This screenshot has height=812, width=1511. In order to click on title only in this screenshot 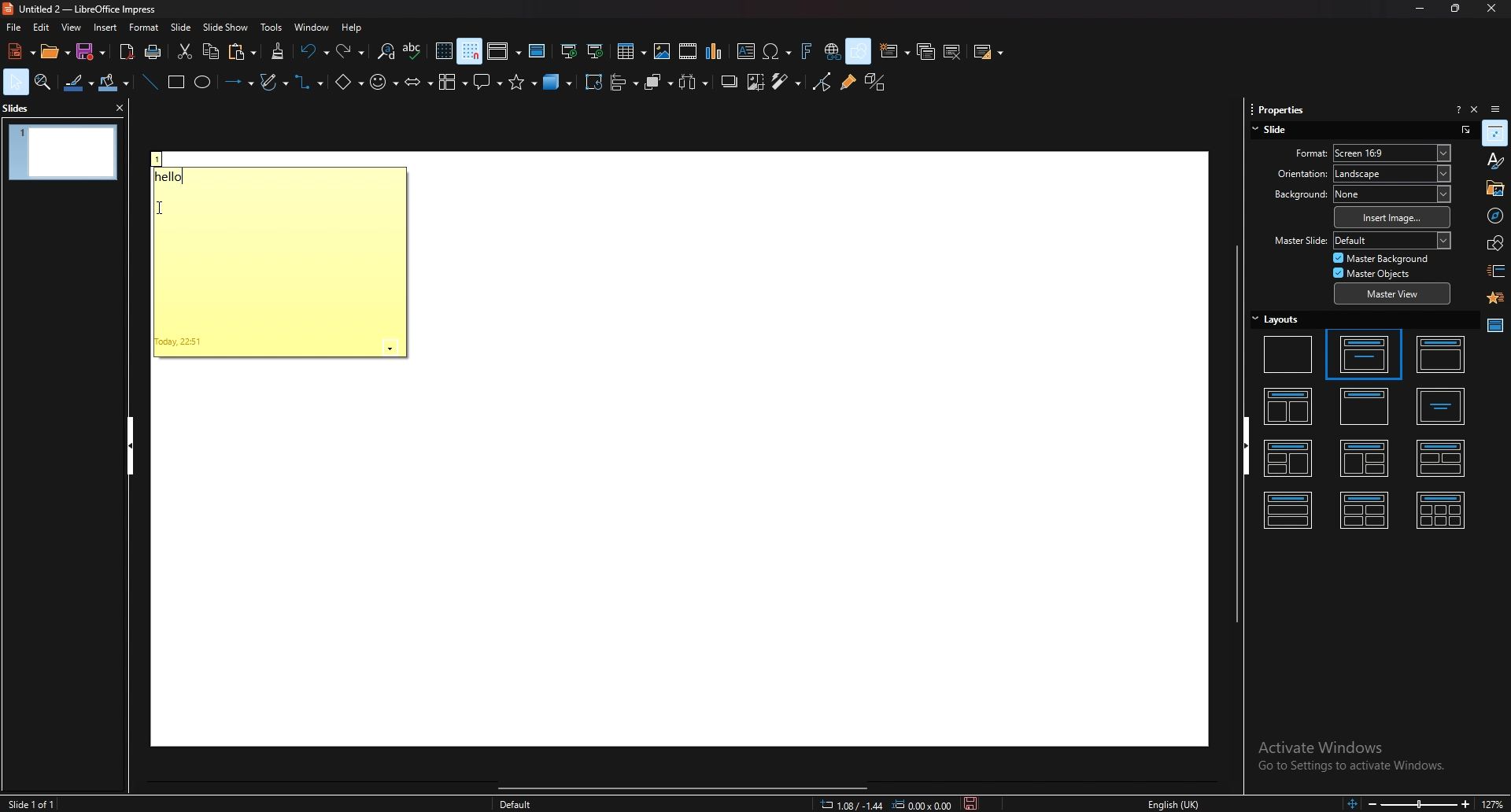, I will do `click(1365, 405)`.